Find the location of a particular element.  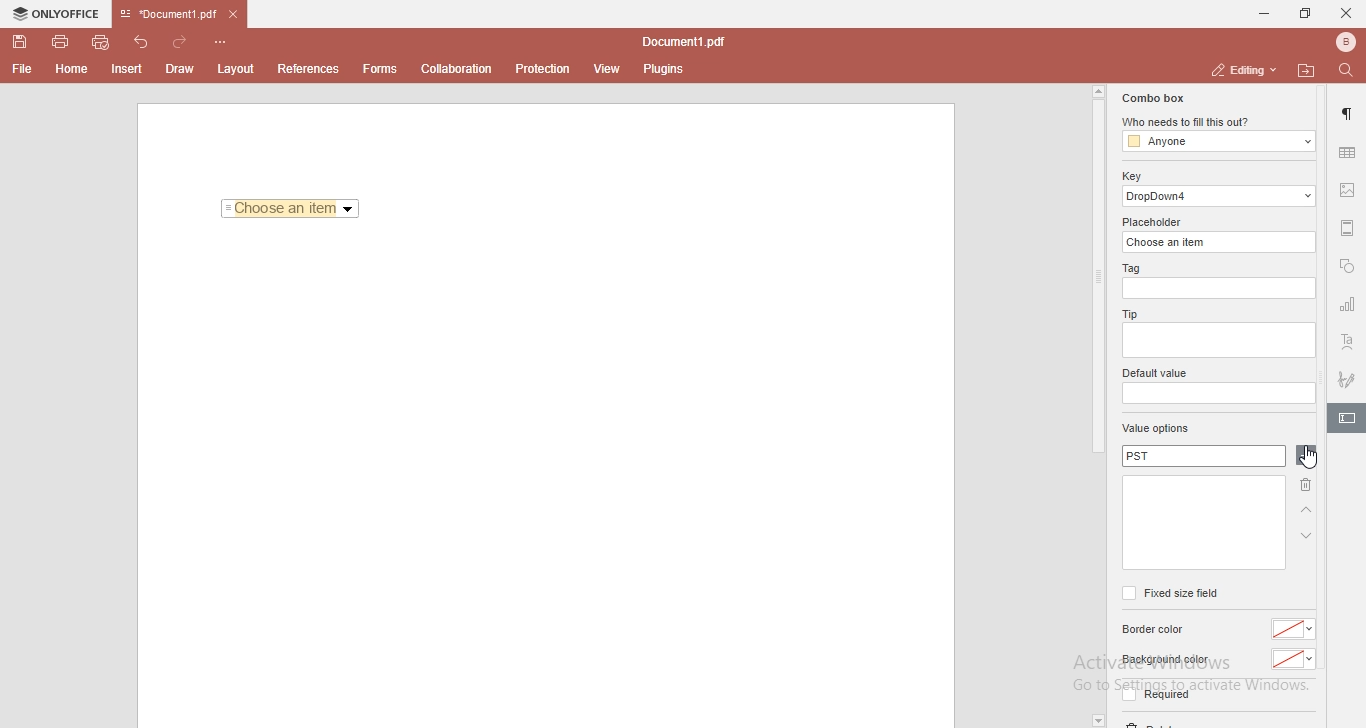

restore is located at coordinates (1304, 14).